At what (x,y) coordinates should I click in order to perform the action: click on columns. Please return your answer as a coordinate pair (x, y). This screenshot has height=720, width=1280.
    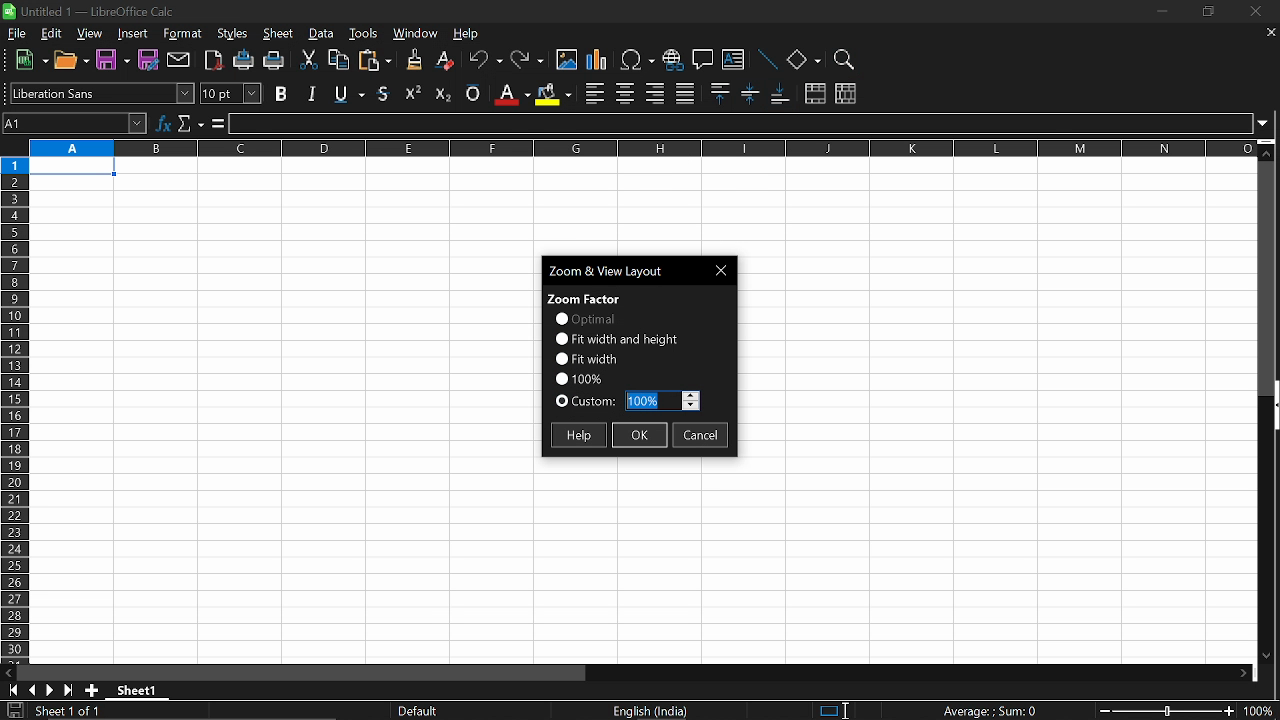
    Looking at the image, I should click on (639, 147).